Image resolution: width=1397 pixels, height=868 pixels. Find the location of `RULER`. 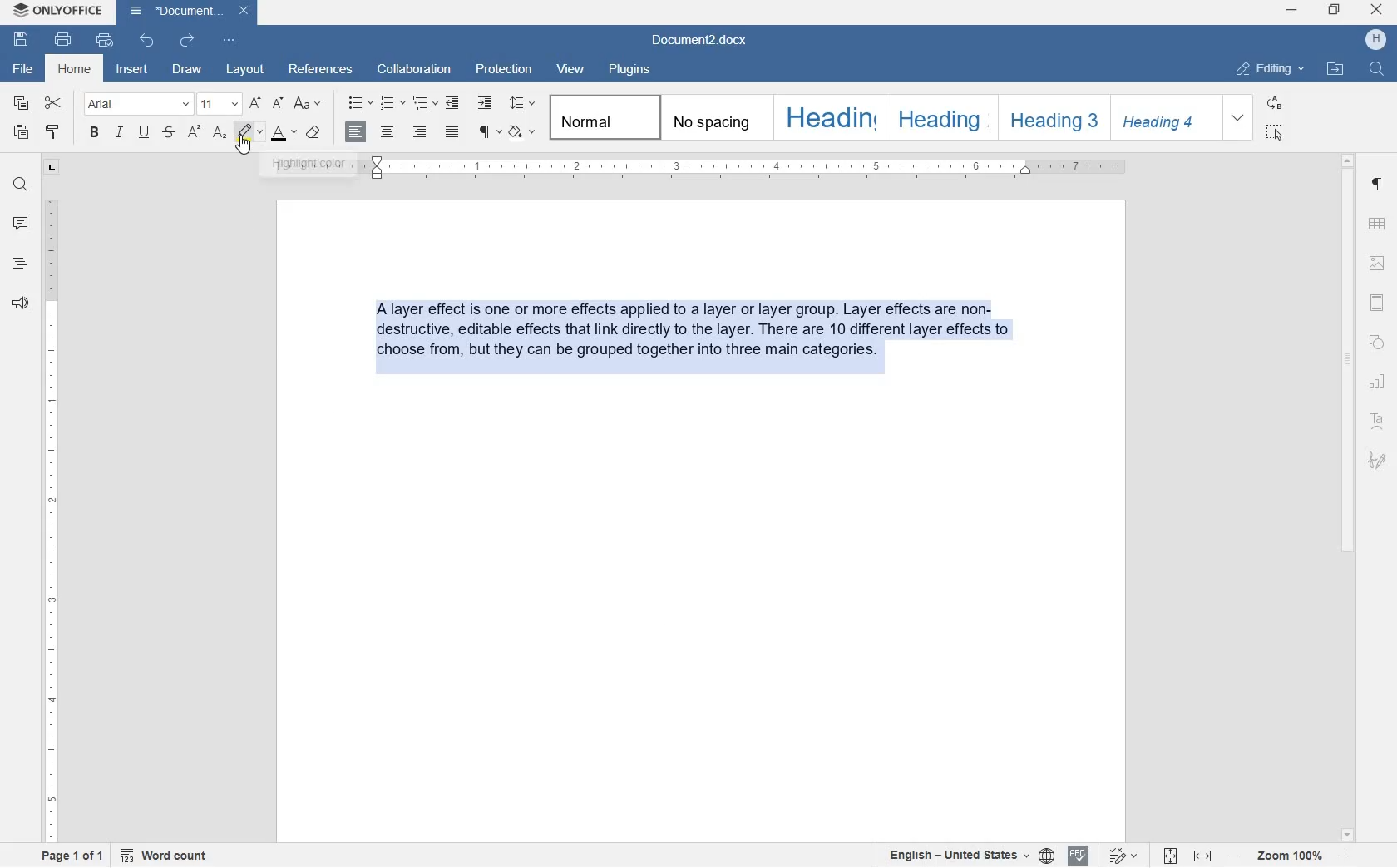

RULER is located at coordinates (49, 519).